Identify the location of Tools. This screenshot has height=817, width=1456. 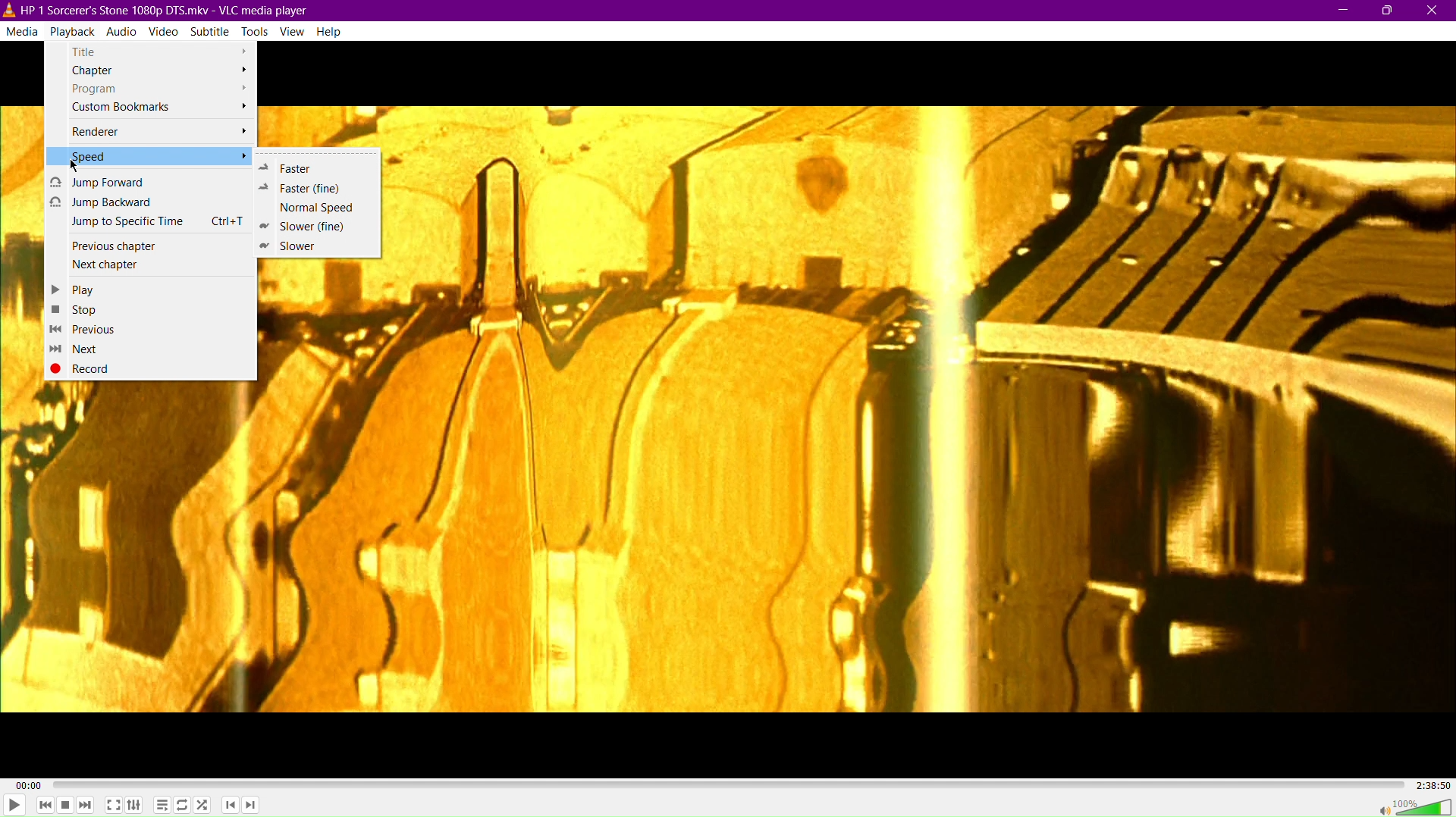
(255, 30).